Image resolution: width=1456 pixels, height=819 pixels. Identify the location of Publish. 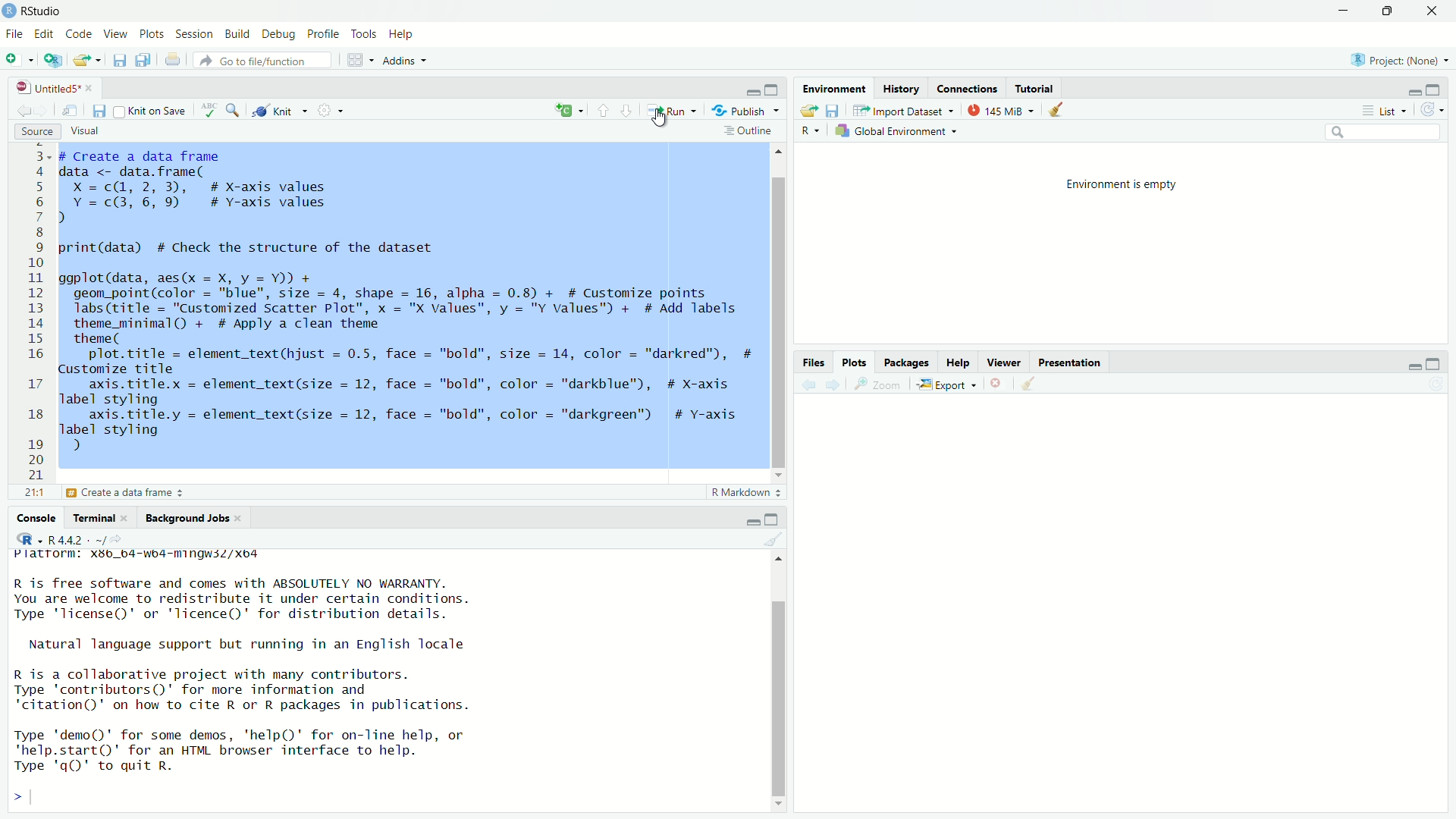
(746, 111).